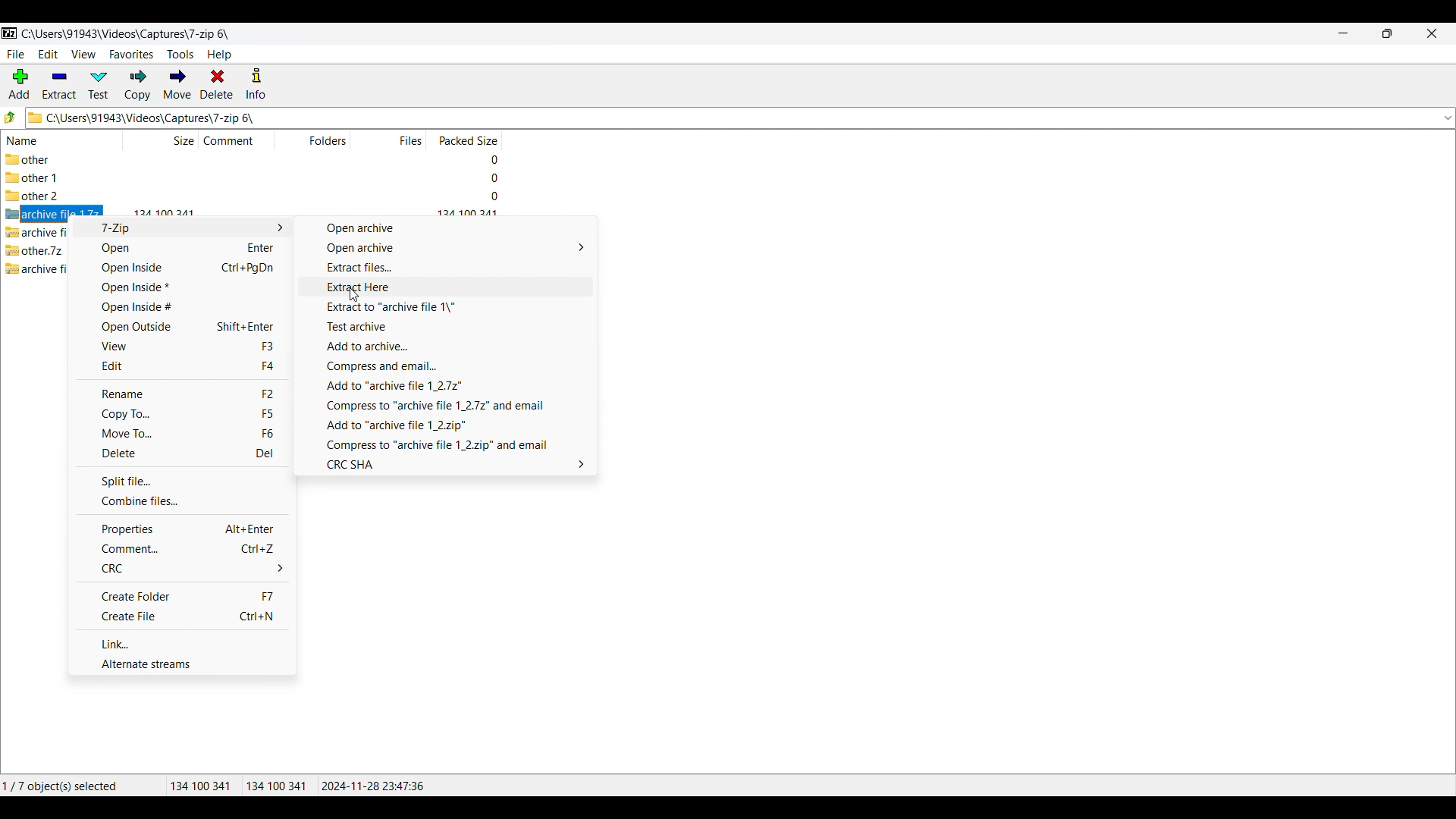  I want to click on archive file 1.7z , so click(36, 215).